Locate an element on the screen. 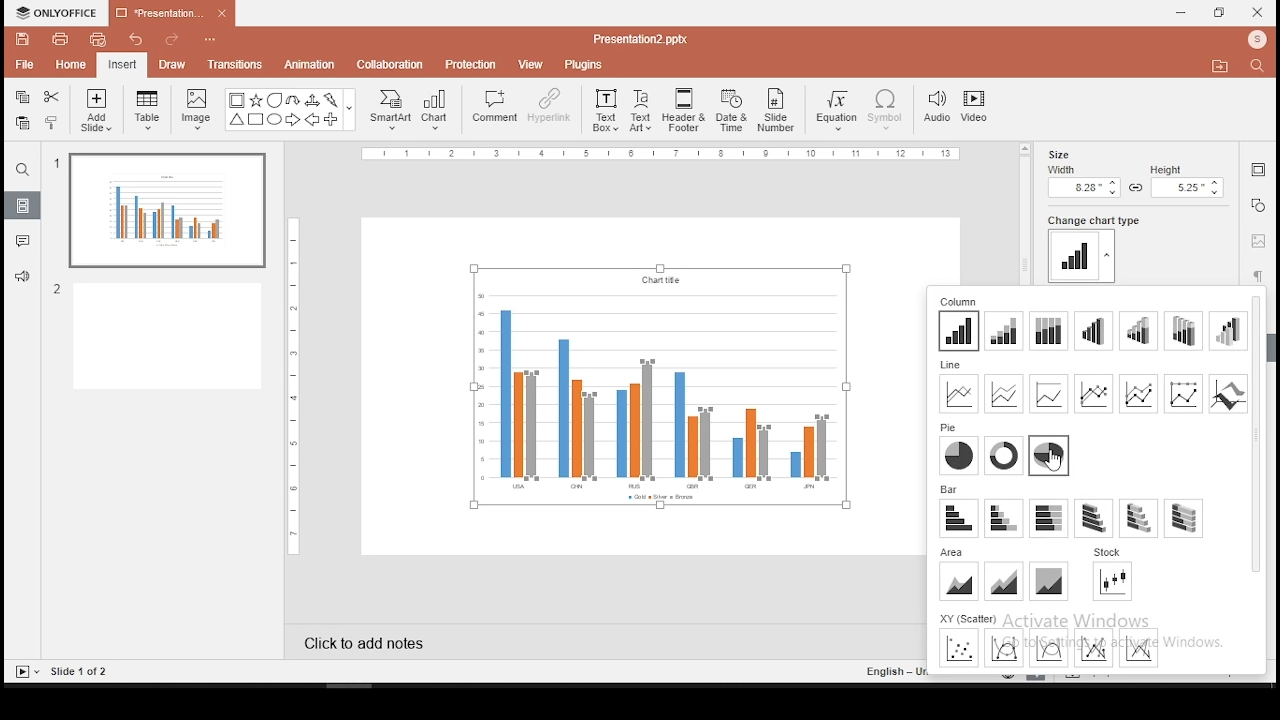  home is located at coordinates (72, 65).